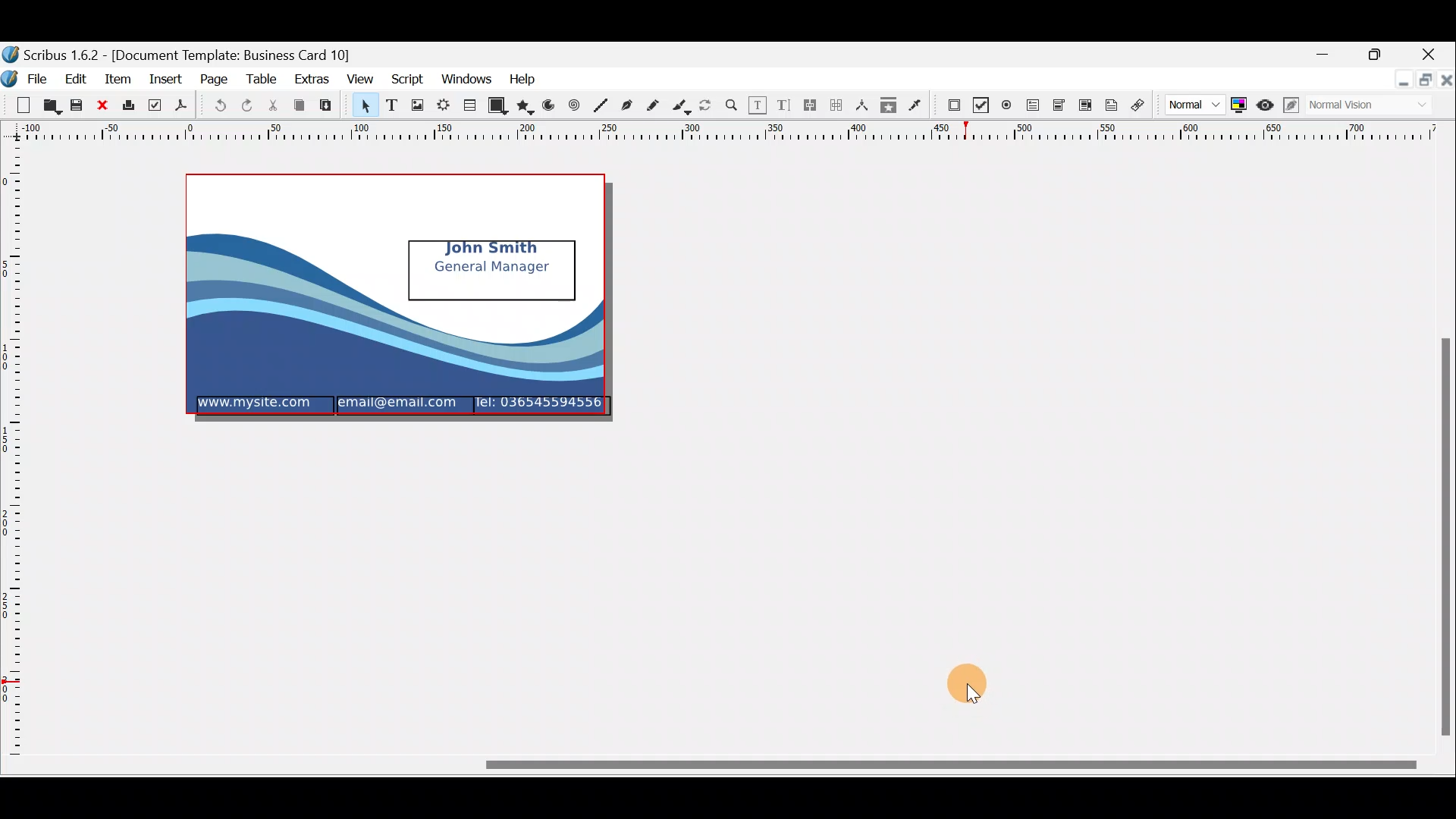  I want to click on Save as PDF, so click(181, 107).